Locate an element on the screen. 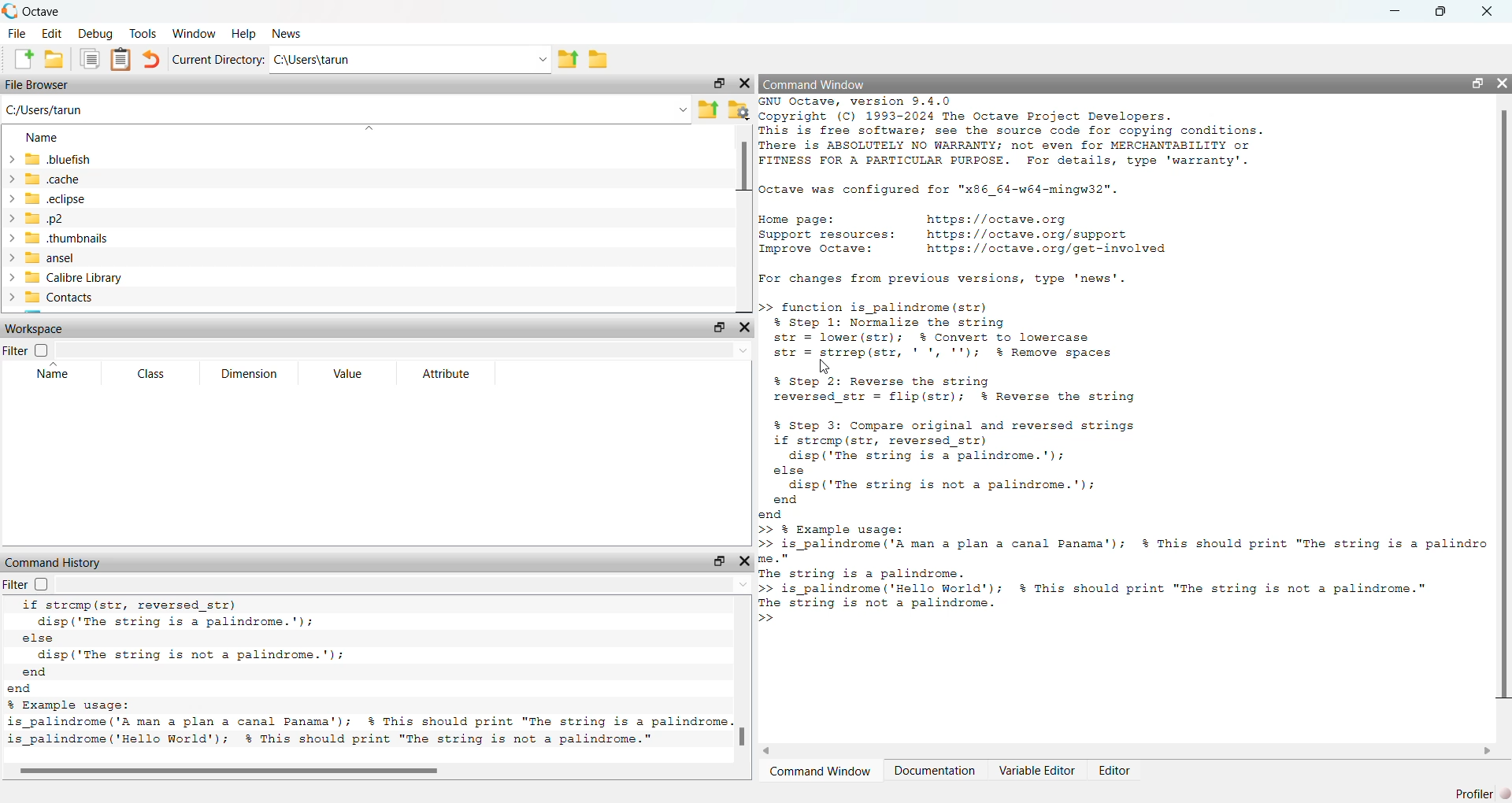 The width and height of the screenshot is (1512, 803). move left is located at coordinates (778, 749).